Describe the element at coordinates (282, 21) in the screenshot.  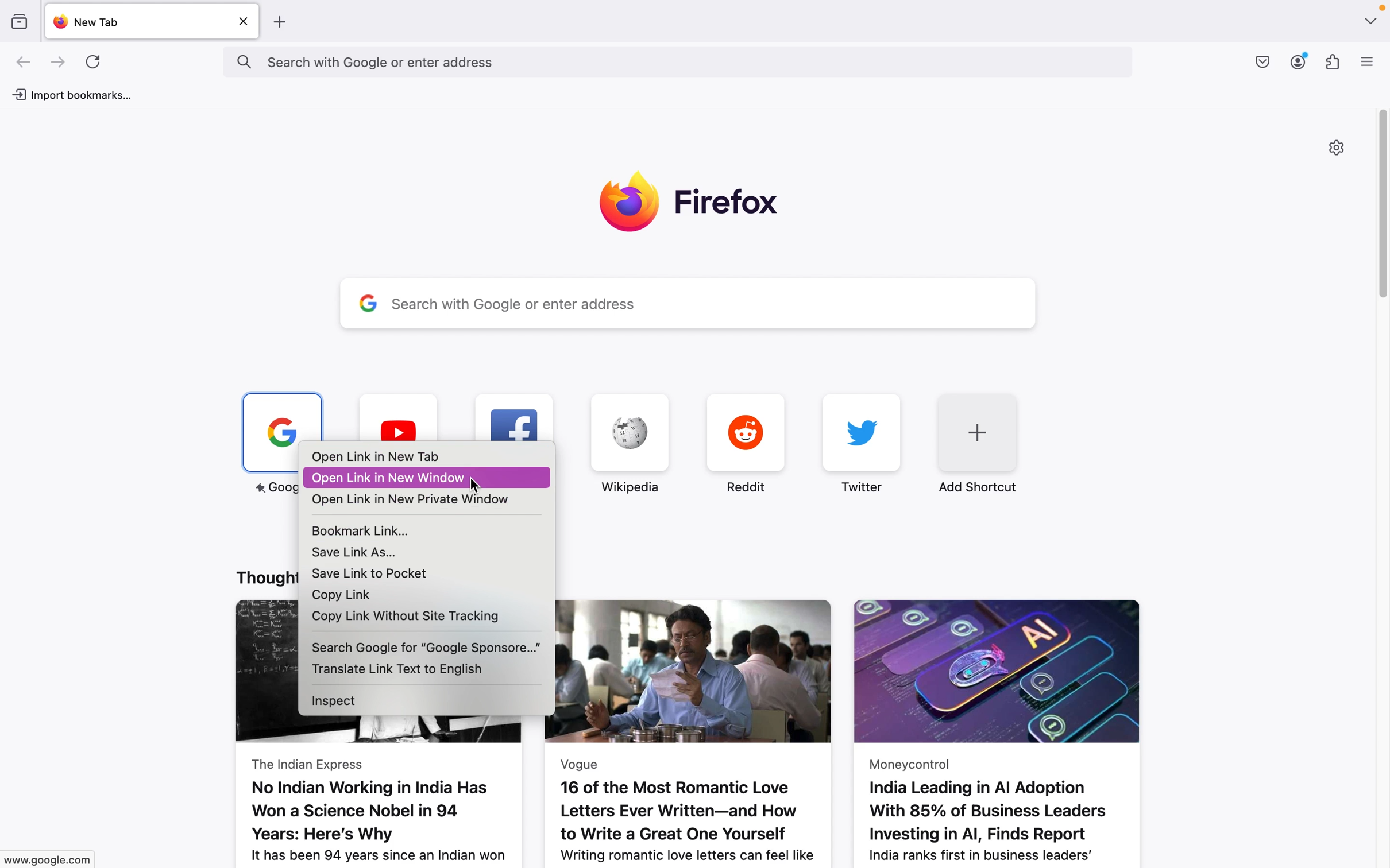
I see `add tab` at that location.